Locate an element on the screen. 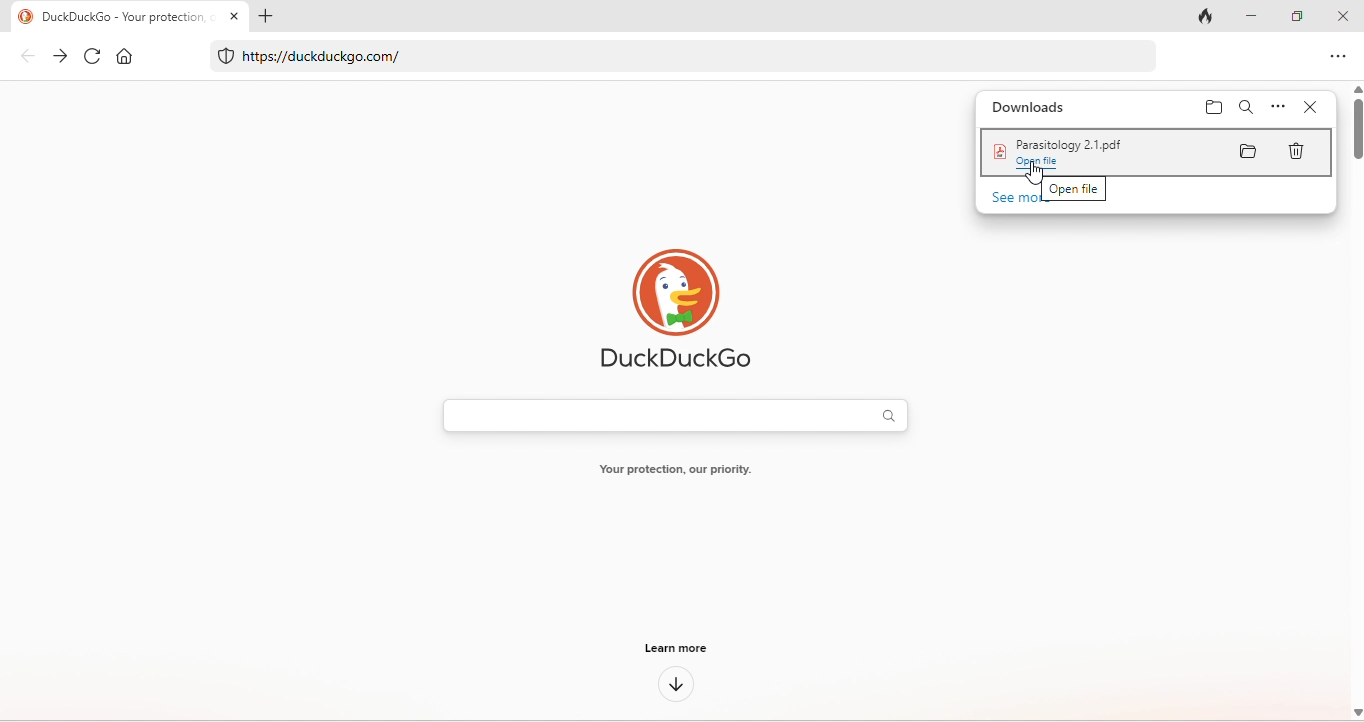  vertical scroll bar is located at coordinates (1355, 123).